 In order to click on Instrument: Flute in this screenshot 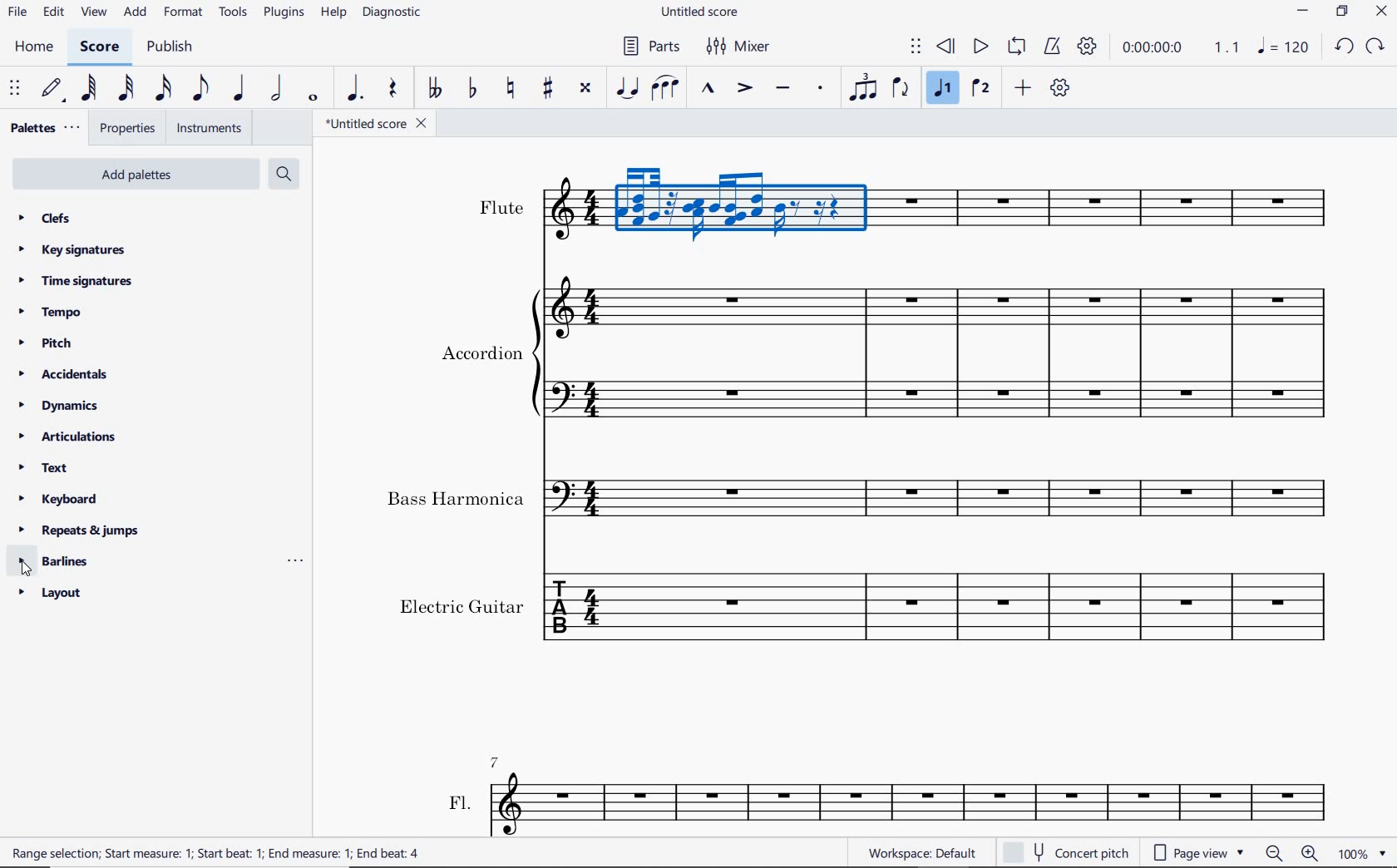, I will do `click(950, 215)`.